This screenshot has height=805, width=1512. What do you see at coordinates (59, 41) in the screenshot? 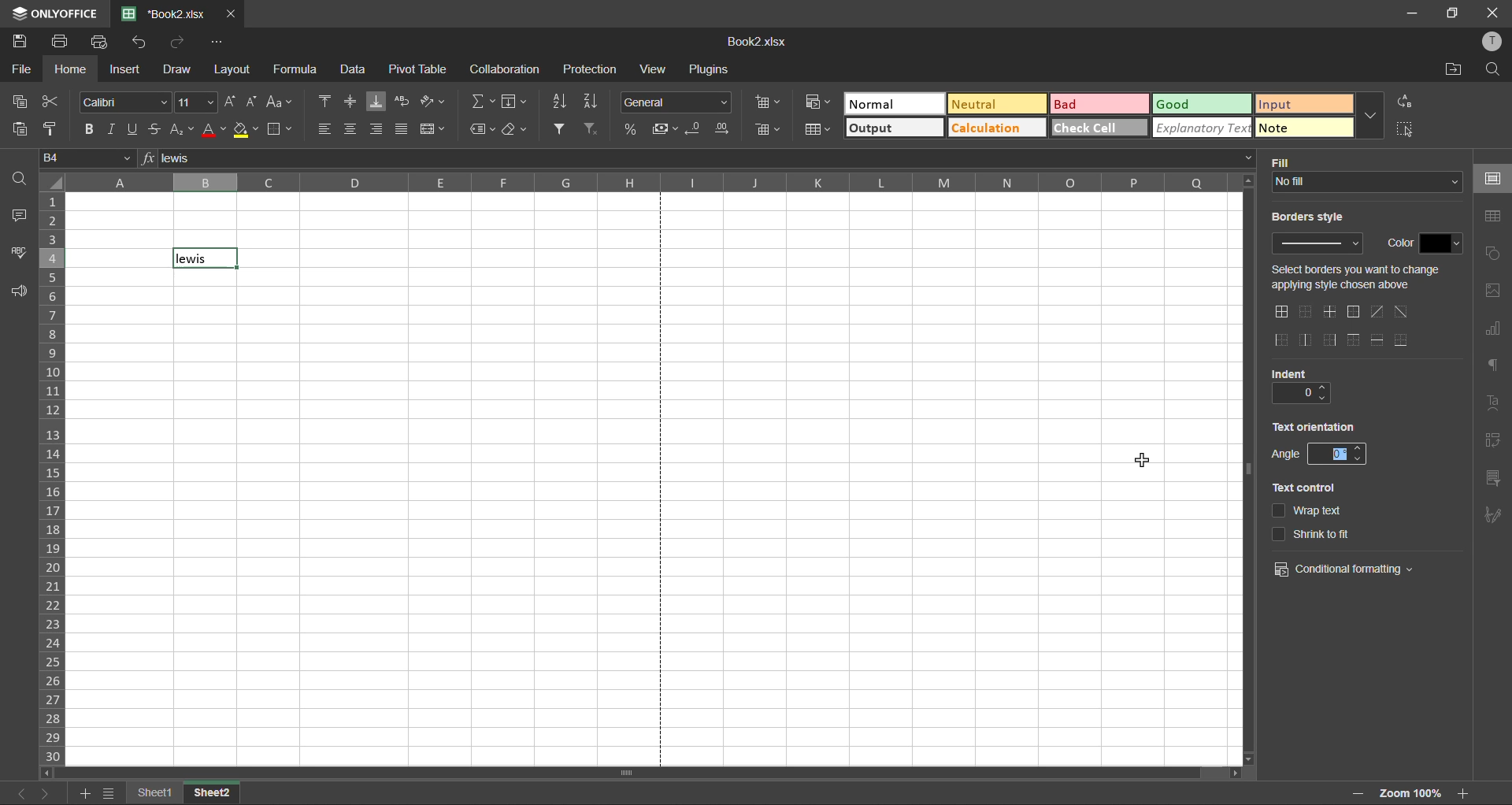
I see `print` at bounding box center [59, 41].